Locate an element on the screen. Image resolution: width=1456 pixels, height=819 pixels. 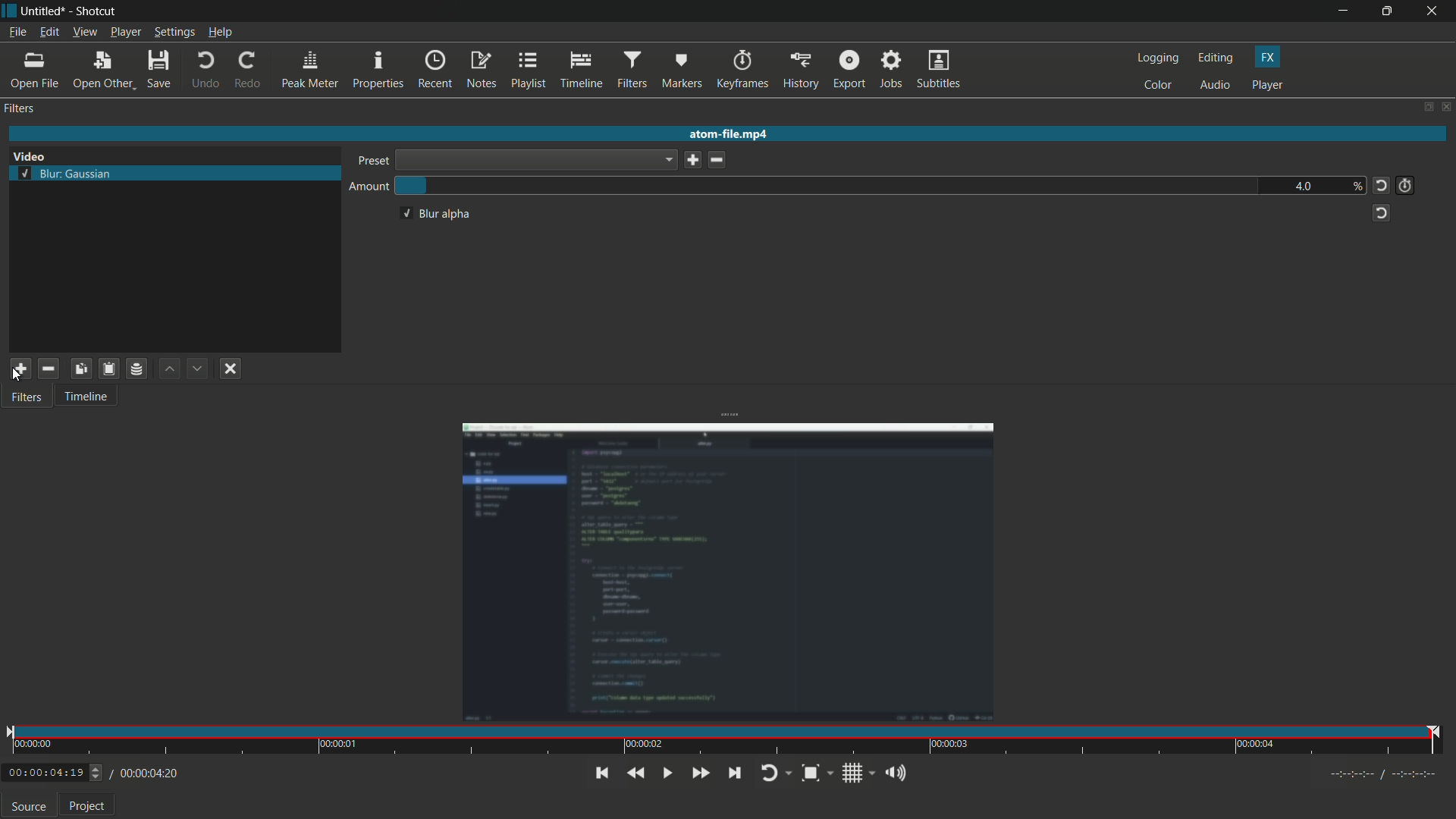
recent is located at coordinates (435, 71).